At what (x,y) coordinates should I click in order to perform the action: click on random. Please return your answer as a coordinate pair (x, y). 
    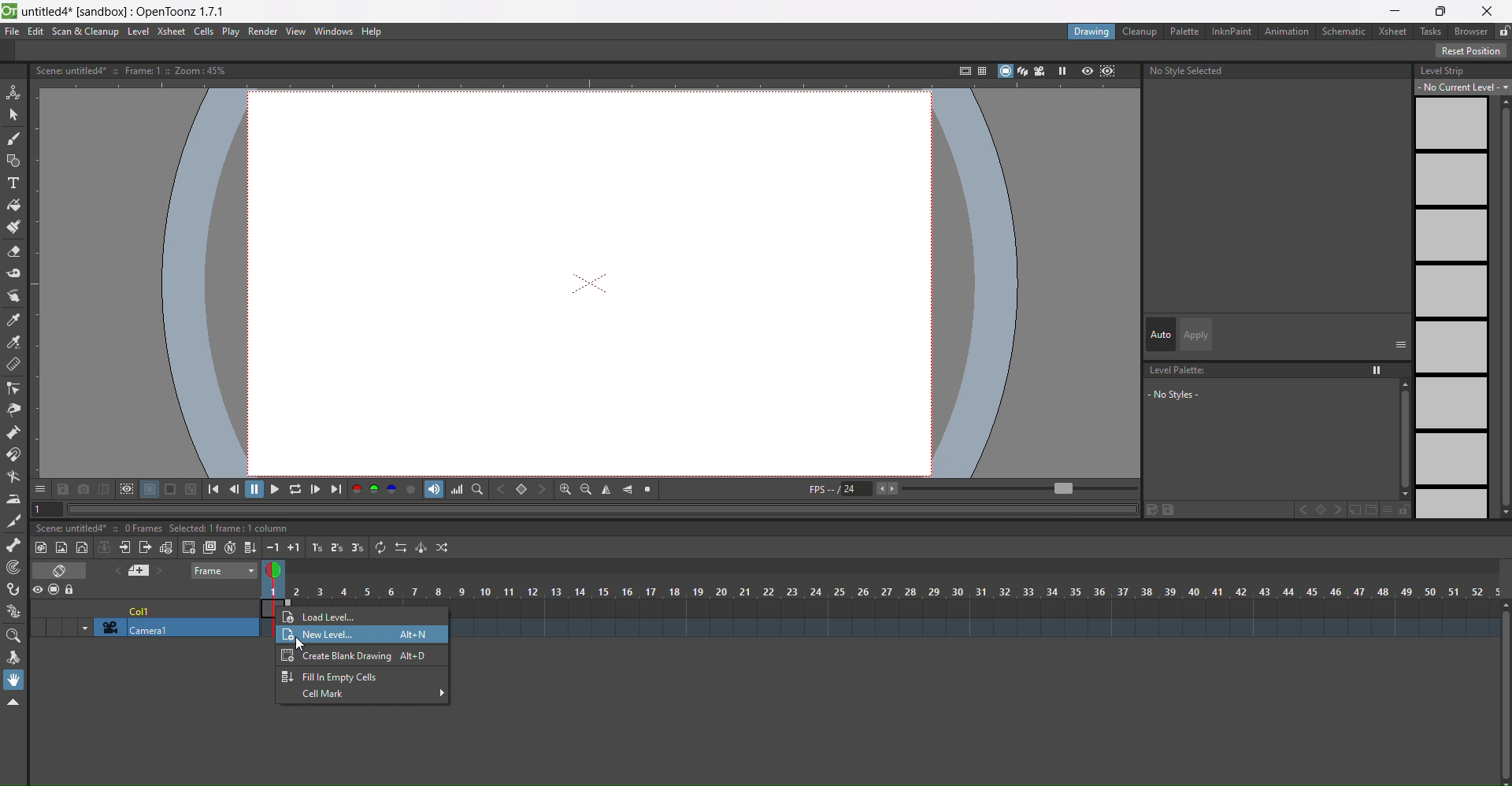
    Looking at the image, I should click on (444, 547).